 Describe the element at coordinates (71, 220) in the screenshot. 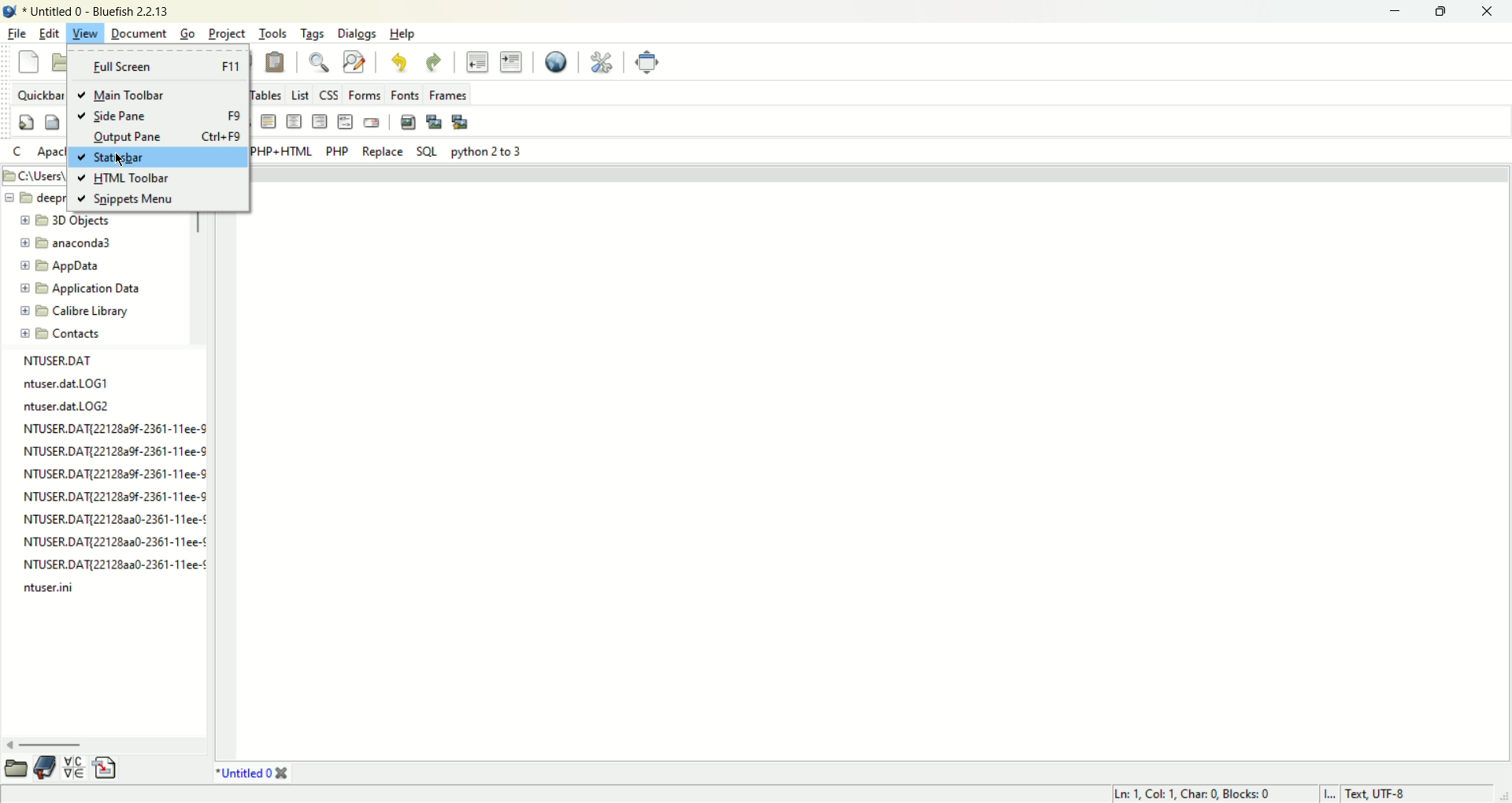

I see `3d Objects` at that location.